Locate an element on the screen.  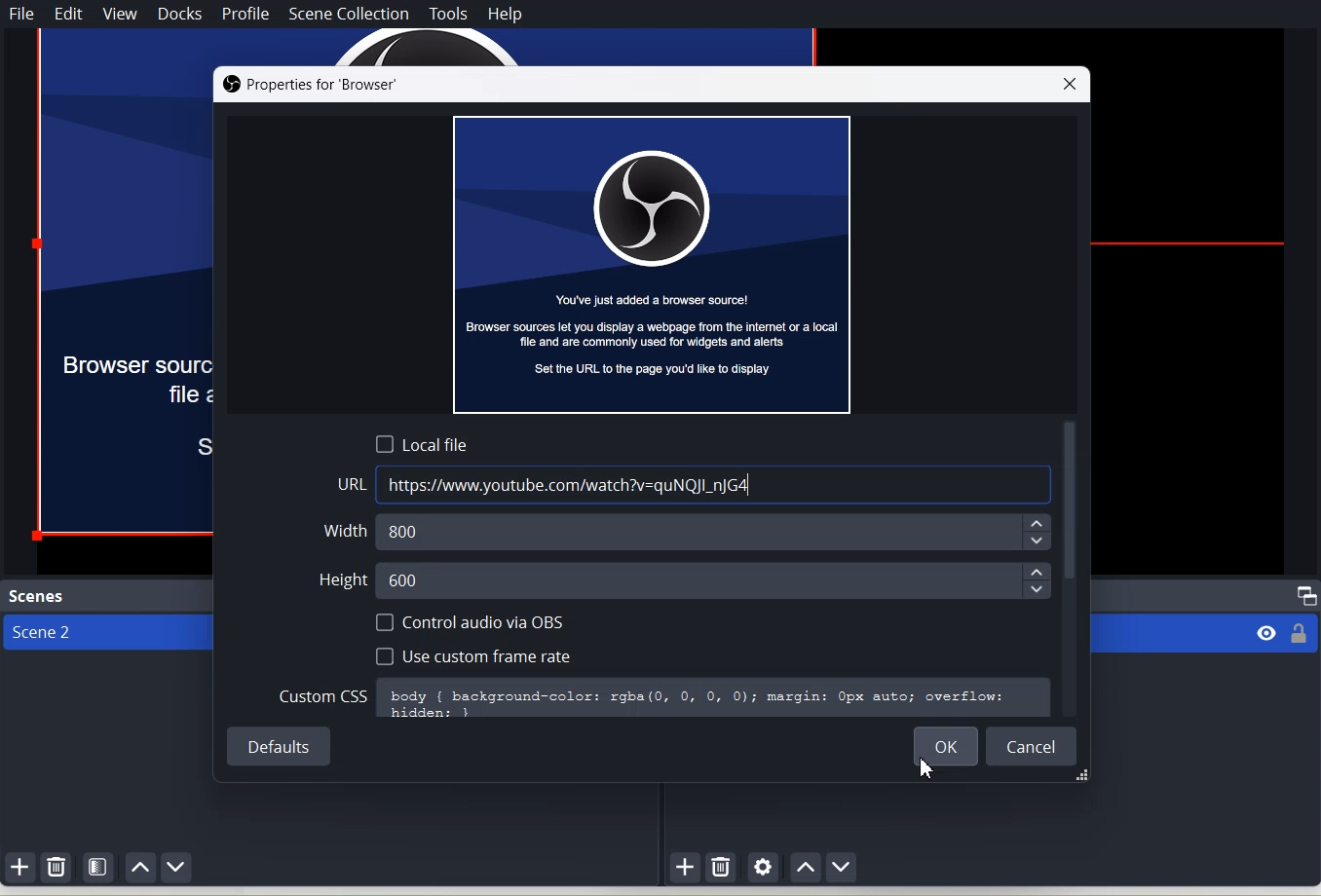
URL is located at coordinates (351, 482).